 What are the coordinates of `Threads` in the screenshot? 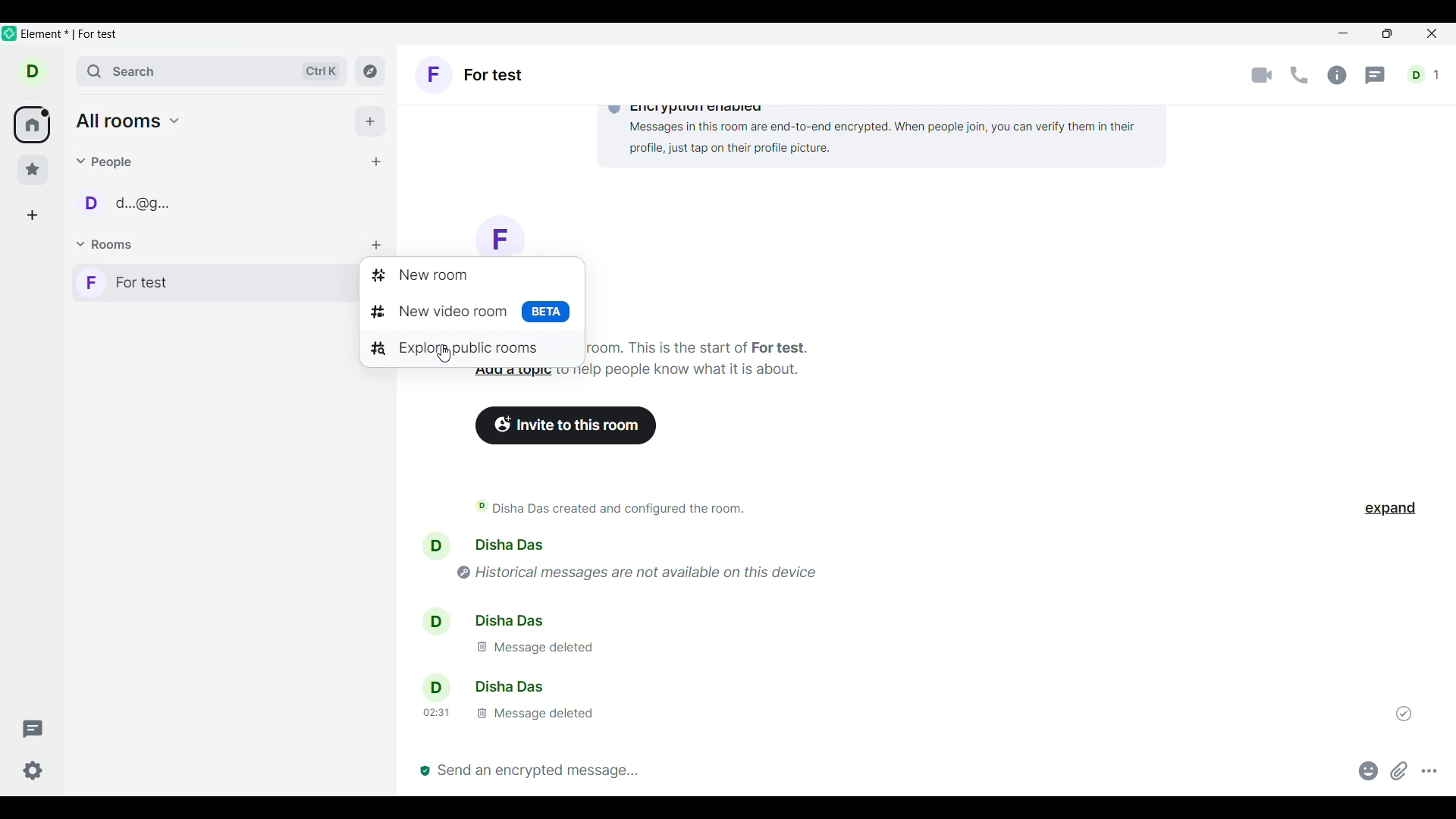 It's located at (1375, 76).